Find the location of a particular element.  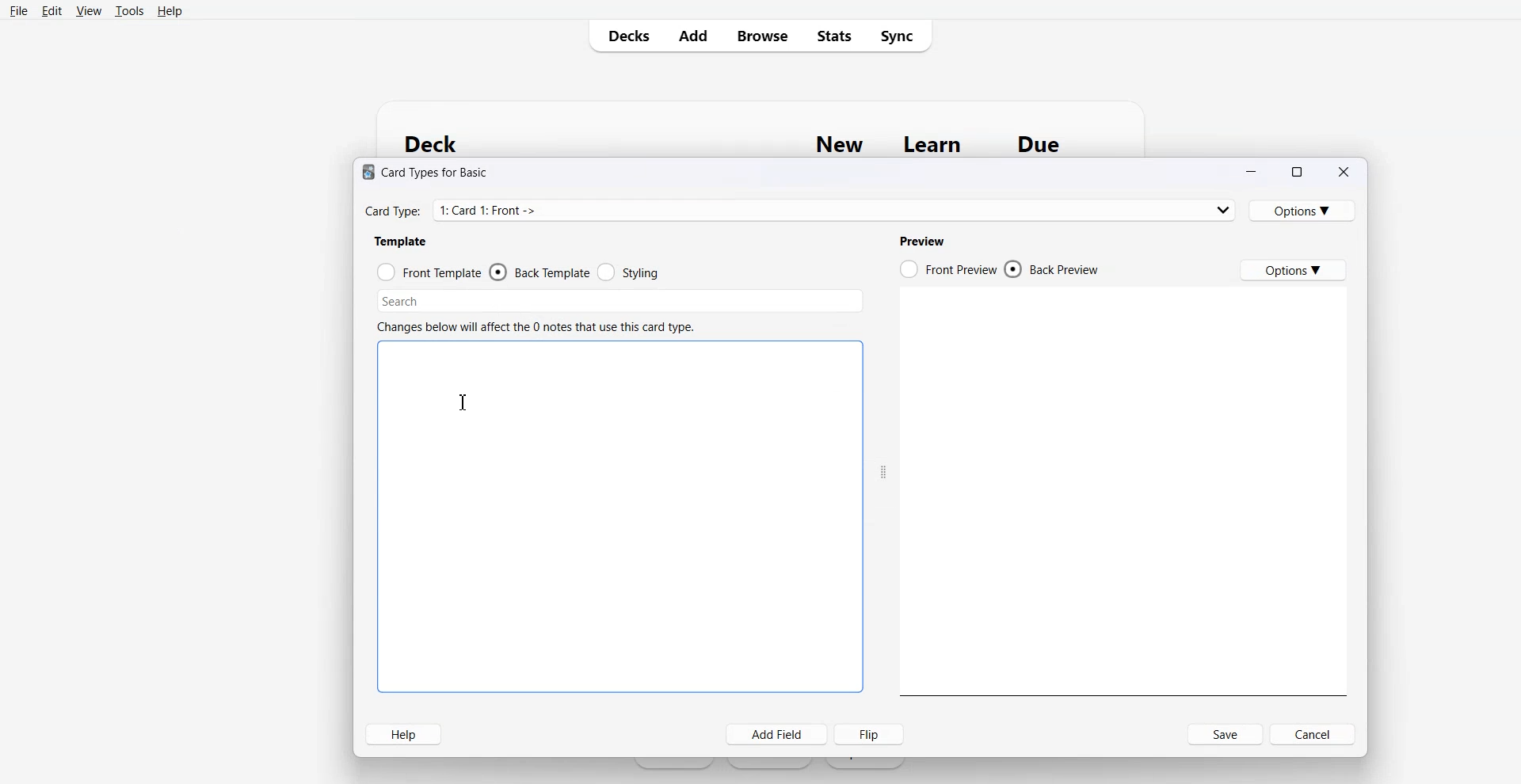

Decks is located at coordinates (623, 36).